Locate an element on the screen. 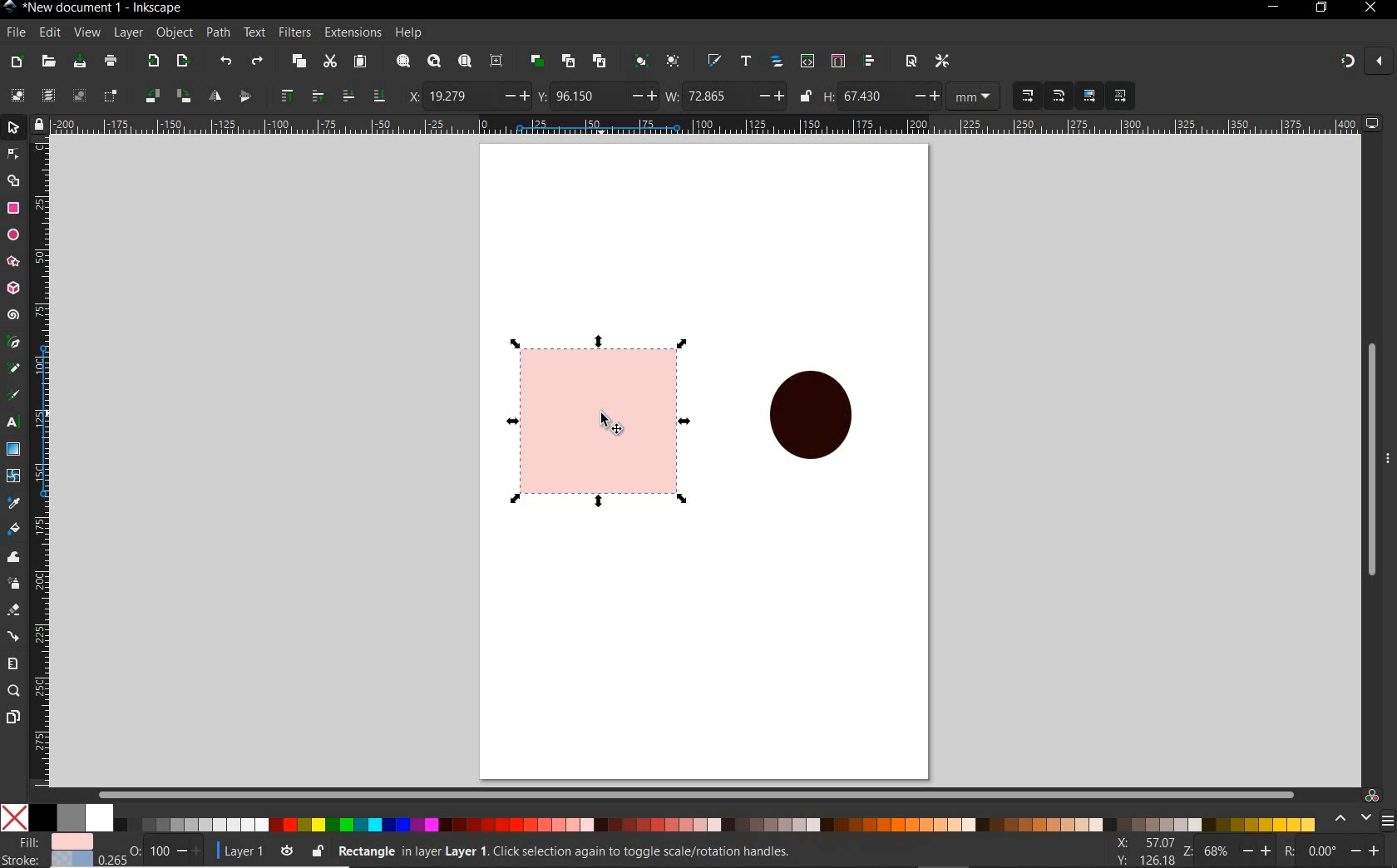  ruler is located at coordinates (708, 124).